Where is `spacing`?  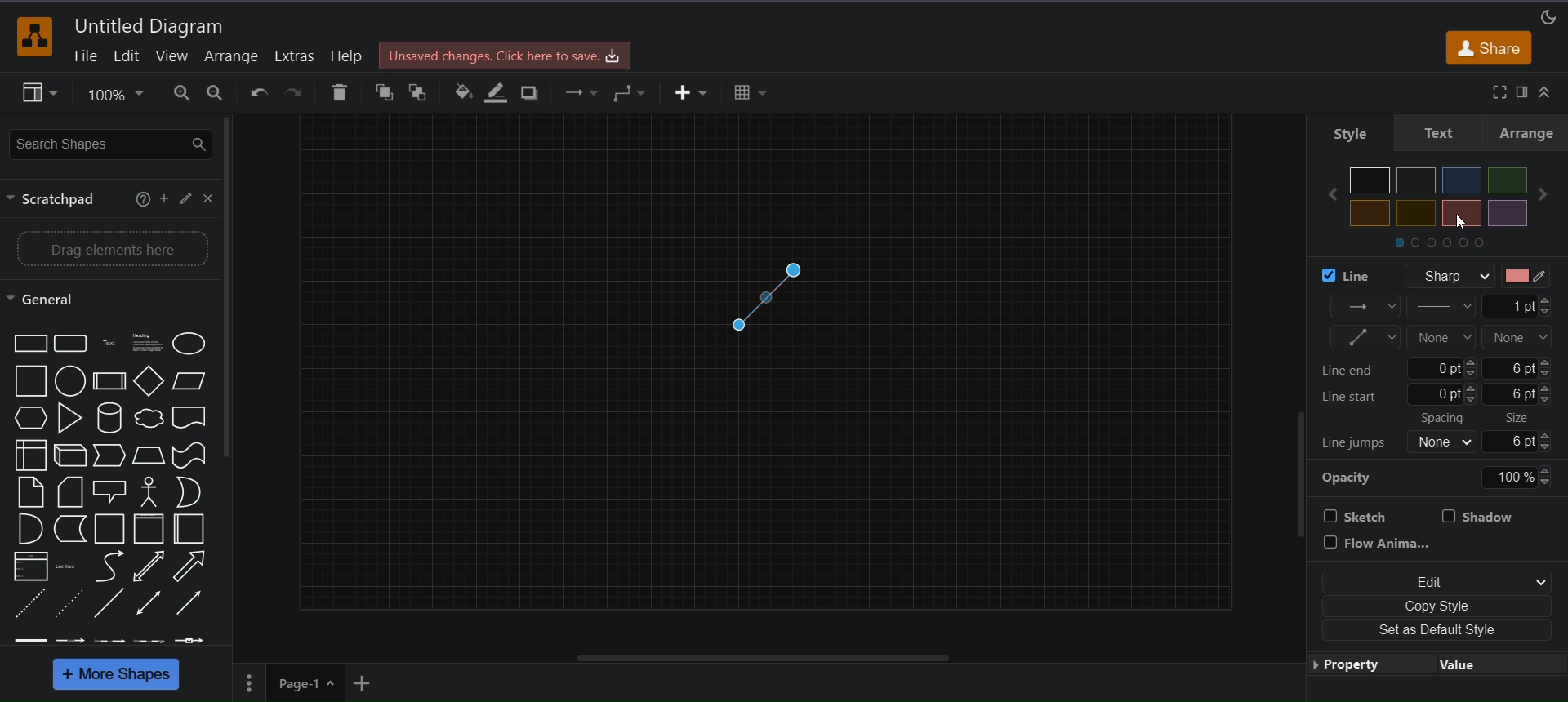
spacing is located at coordinates (1452, 432).